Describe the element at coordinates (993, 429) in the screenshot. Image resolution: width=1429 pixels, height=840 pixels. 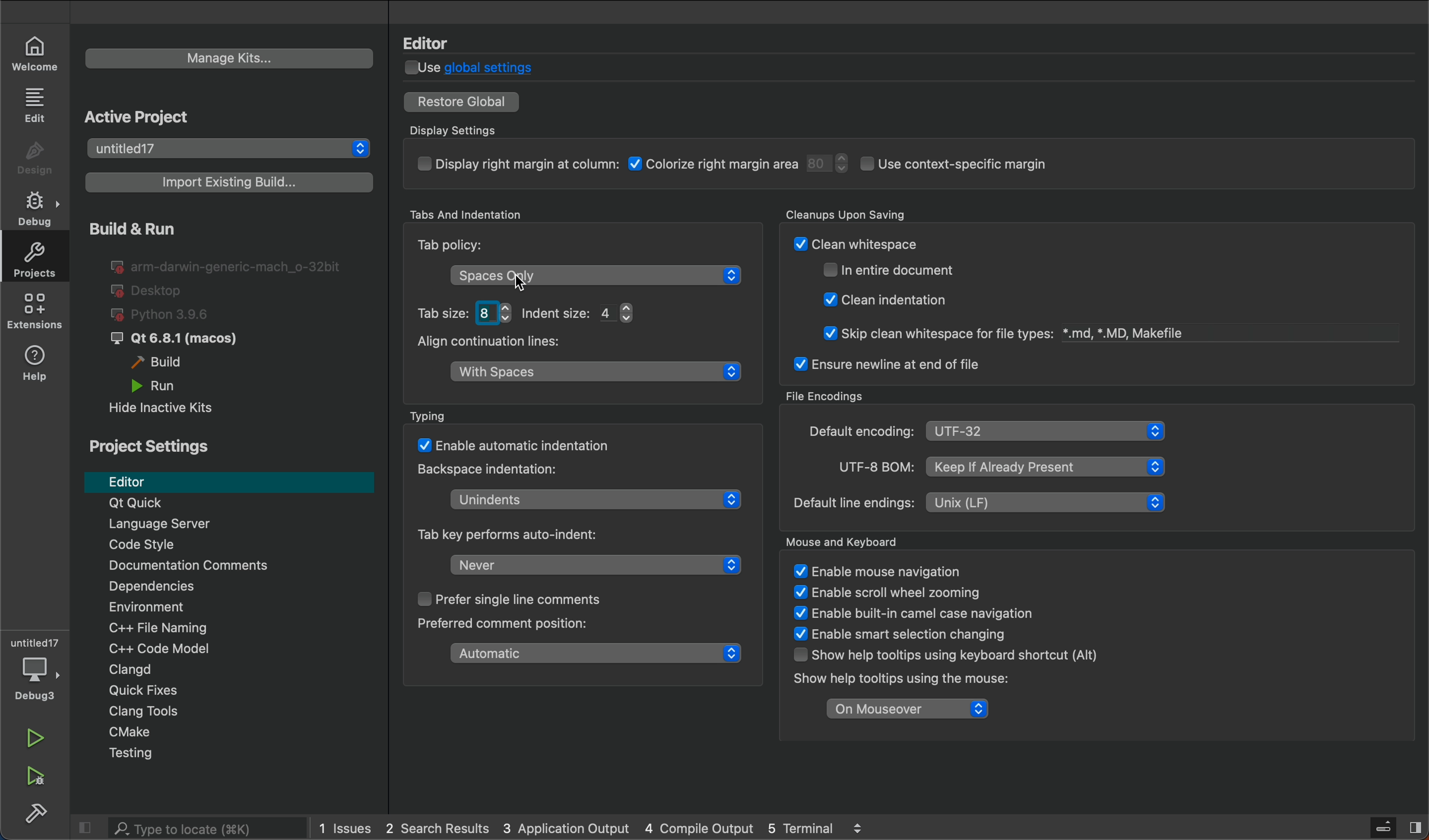
I see `file encoding` at that location.